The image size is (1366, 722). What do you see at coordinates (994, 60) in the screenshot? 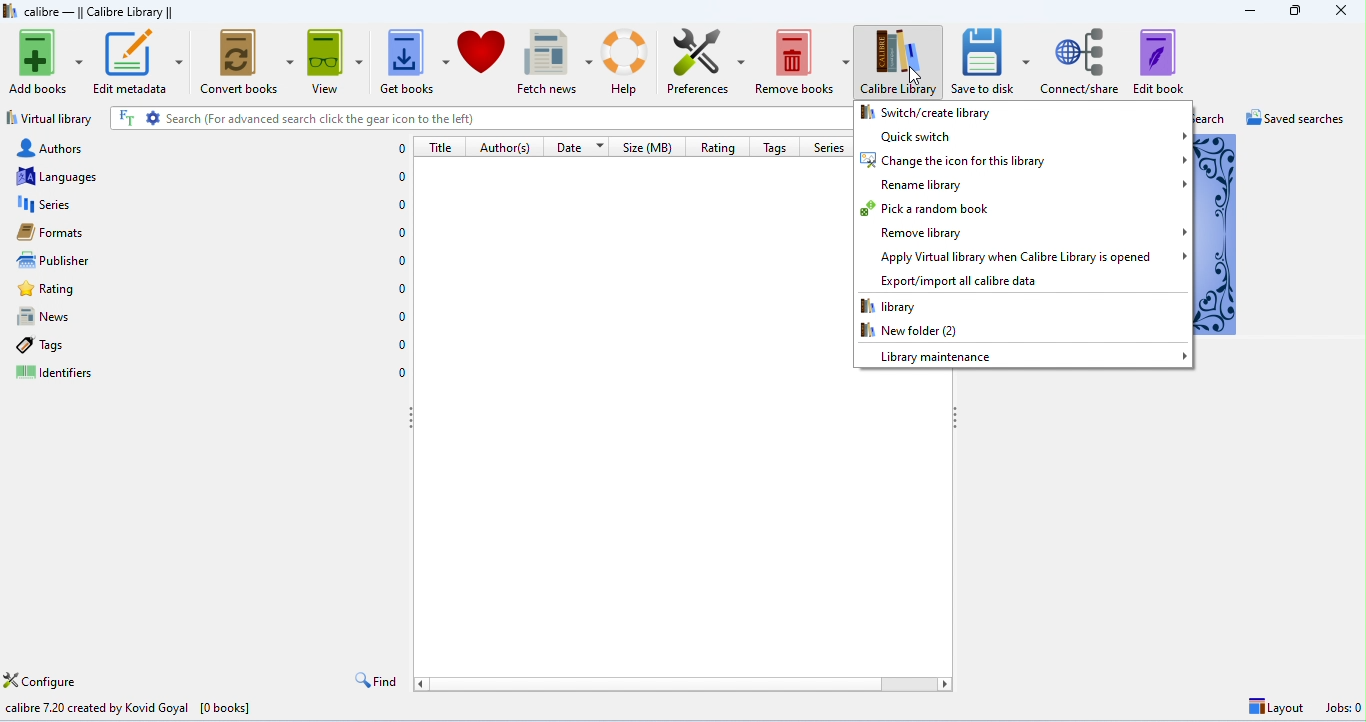
I see `save to disk` at bounding box center [994, 60].